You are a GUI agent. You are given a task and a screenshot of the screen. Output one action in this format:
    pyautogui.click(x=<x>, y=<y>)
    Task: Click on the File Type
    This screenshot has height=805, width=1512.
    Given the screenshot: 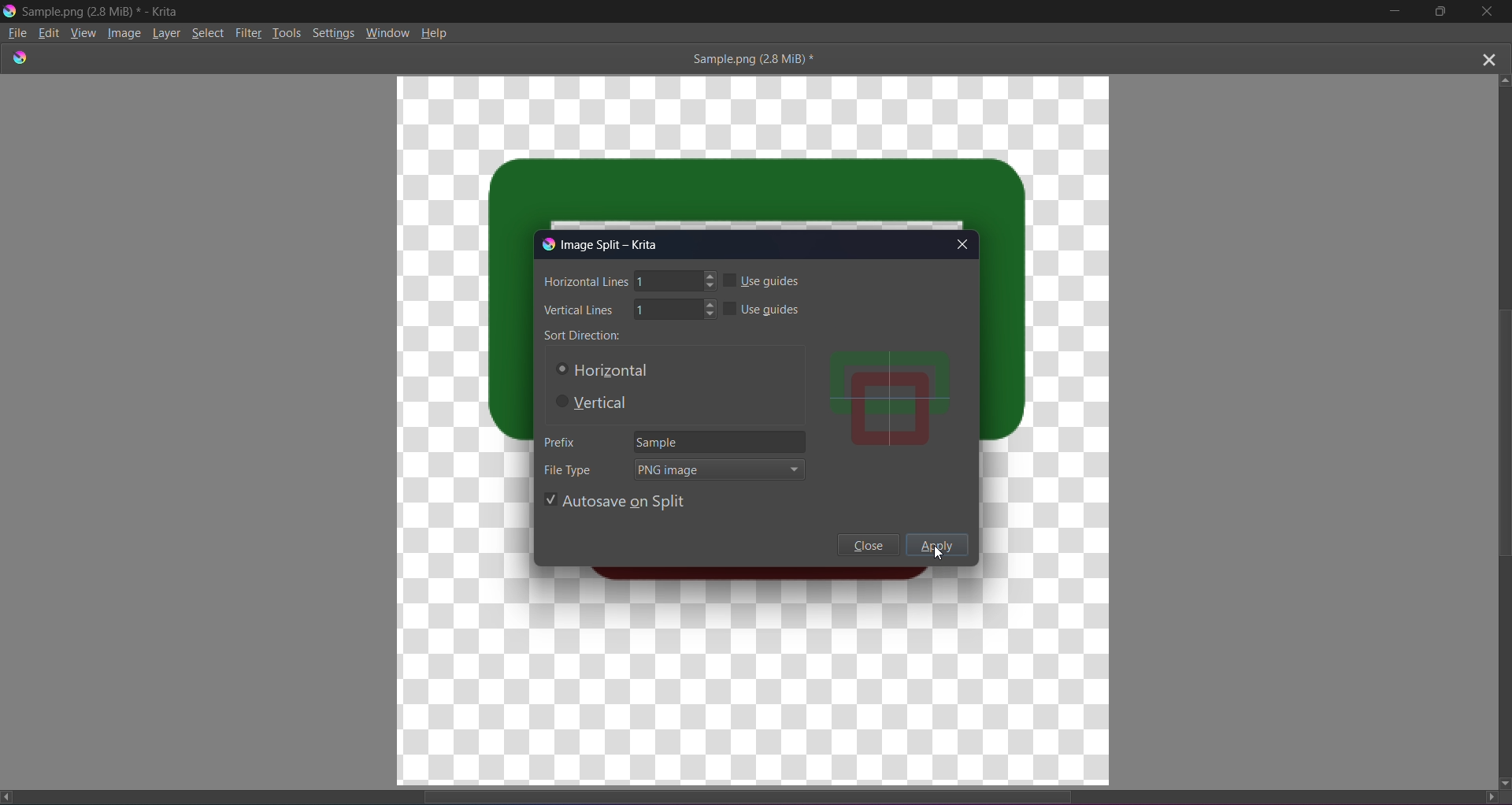 What is the action you would take?
    pyautogui.click(x=569, y=469)
    